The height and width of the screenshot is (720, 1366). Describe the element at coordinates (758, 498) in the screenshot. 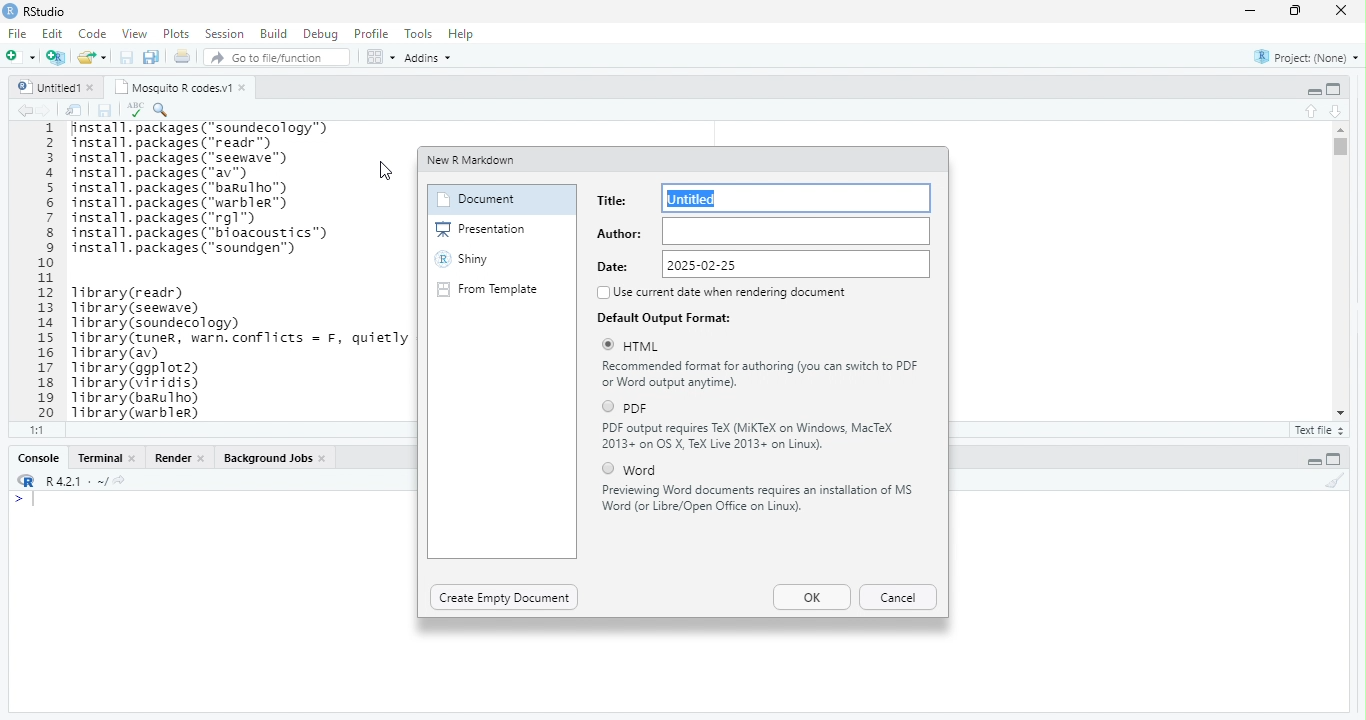

I see `Previewing Word documents requires an installation of MS.
Word (or Libre/Open Office on Linux).` at that location.